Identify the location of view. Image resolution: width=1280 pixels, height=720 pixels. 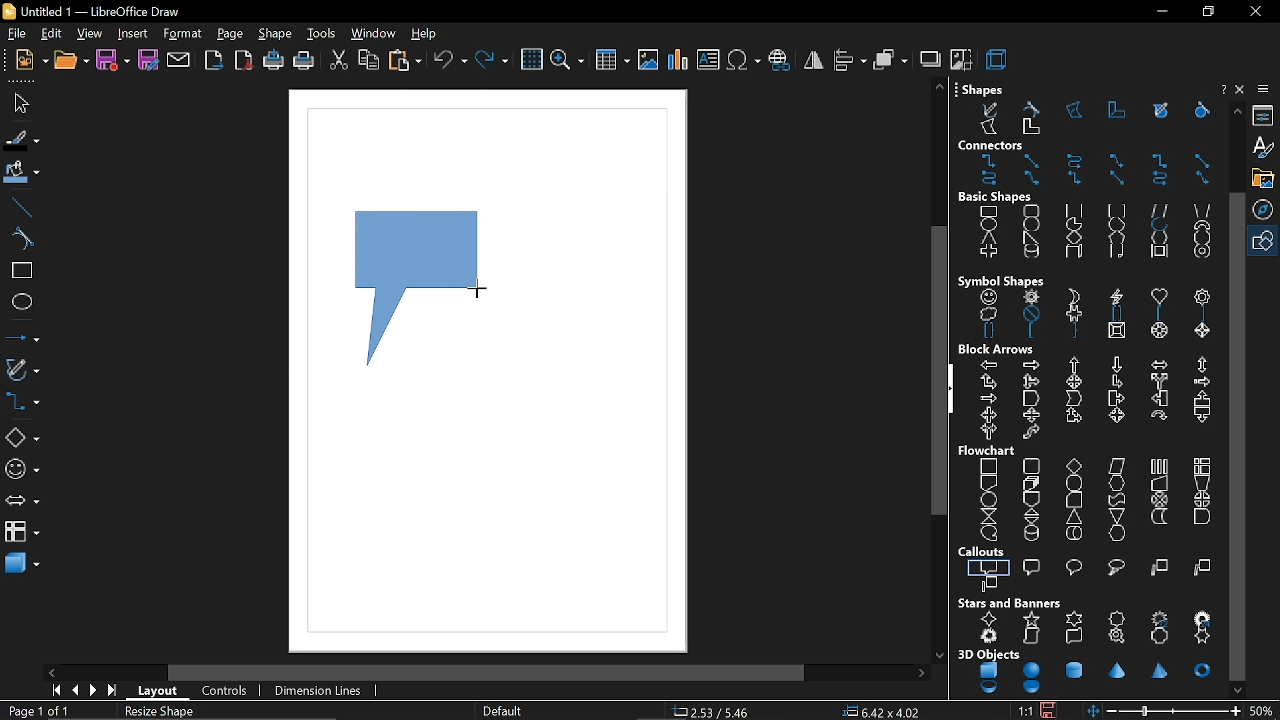
(88, 33).